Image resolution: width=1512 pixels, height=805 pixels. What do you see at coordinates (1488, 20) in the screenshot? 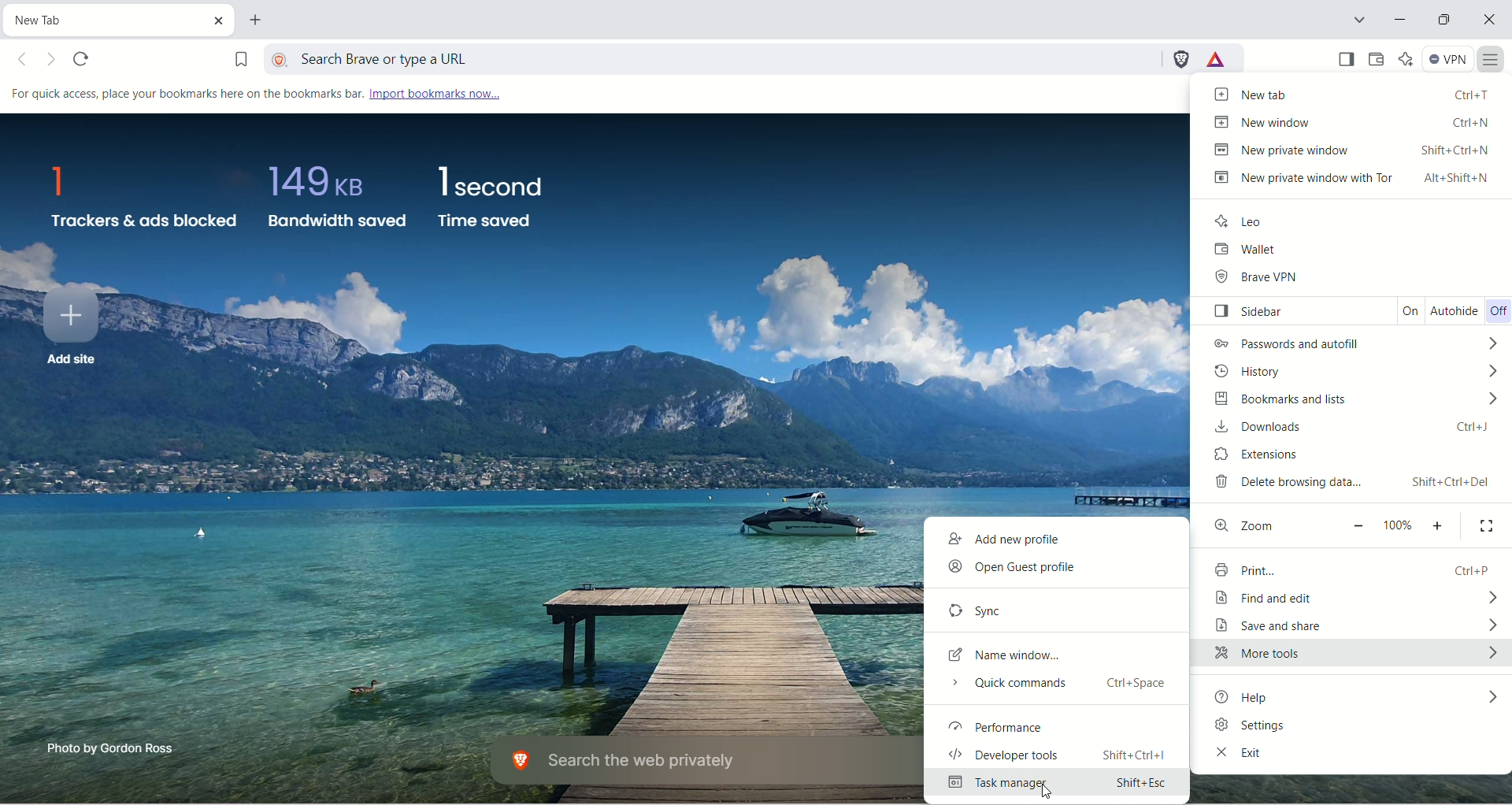
I see `close` at bounding box center [1488, 20].